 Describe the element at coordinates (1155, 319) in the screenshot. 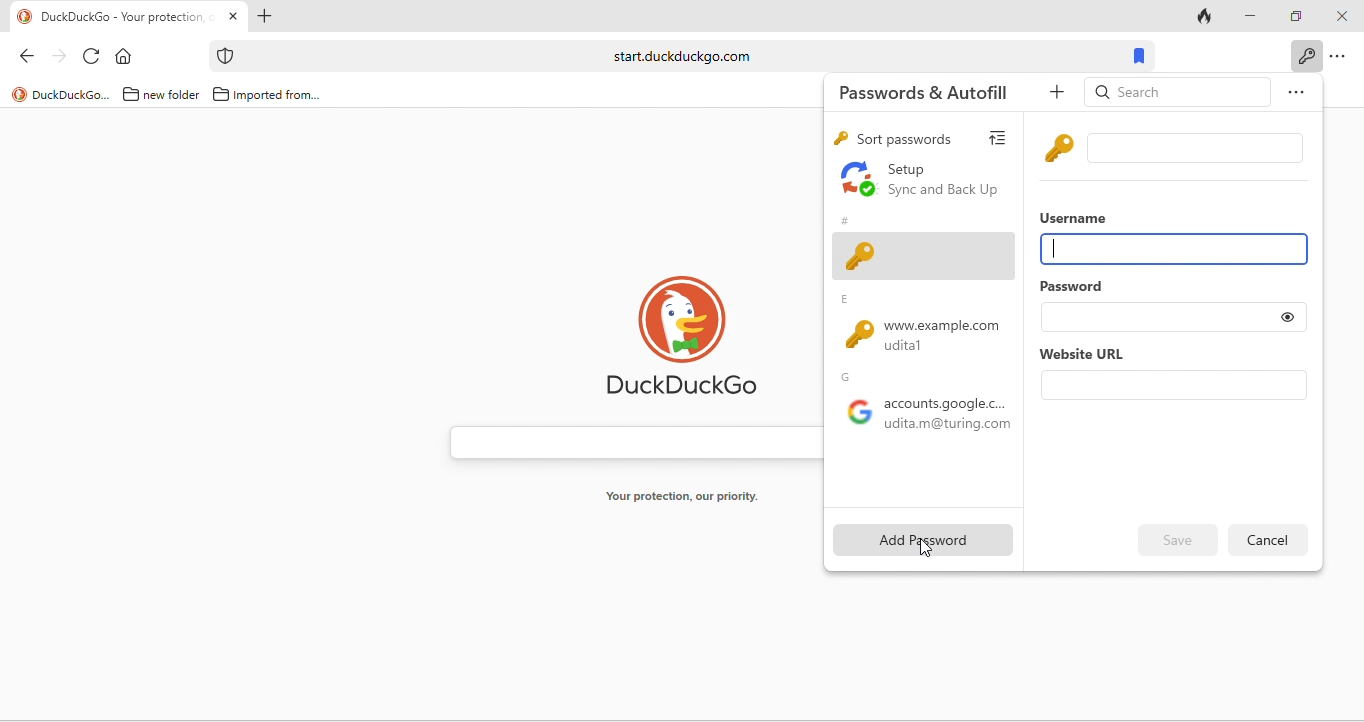

I see `password input box` at that location.